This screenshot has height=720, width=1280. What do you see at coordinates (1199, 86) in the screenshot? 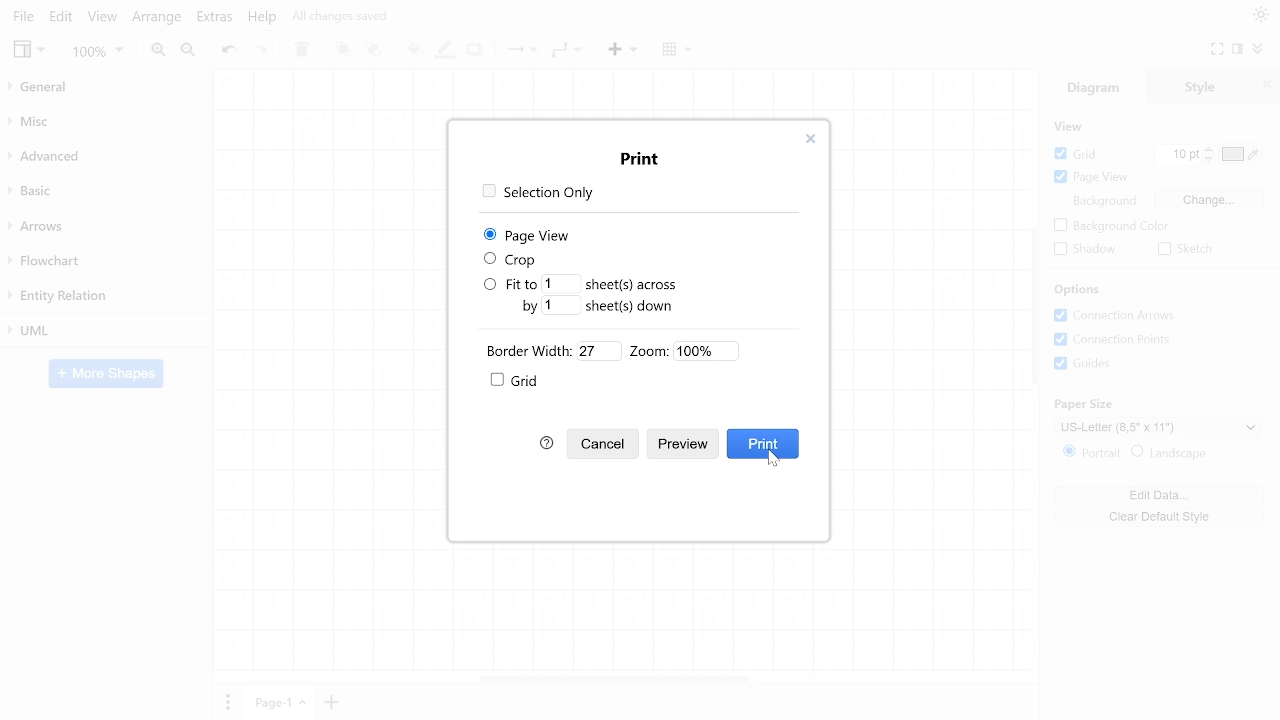
I see `Style` at bounding box center [1199, 86].